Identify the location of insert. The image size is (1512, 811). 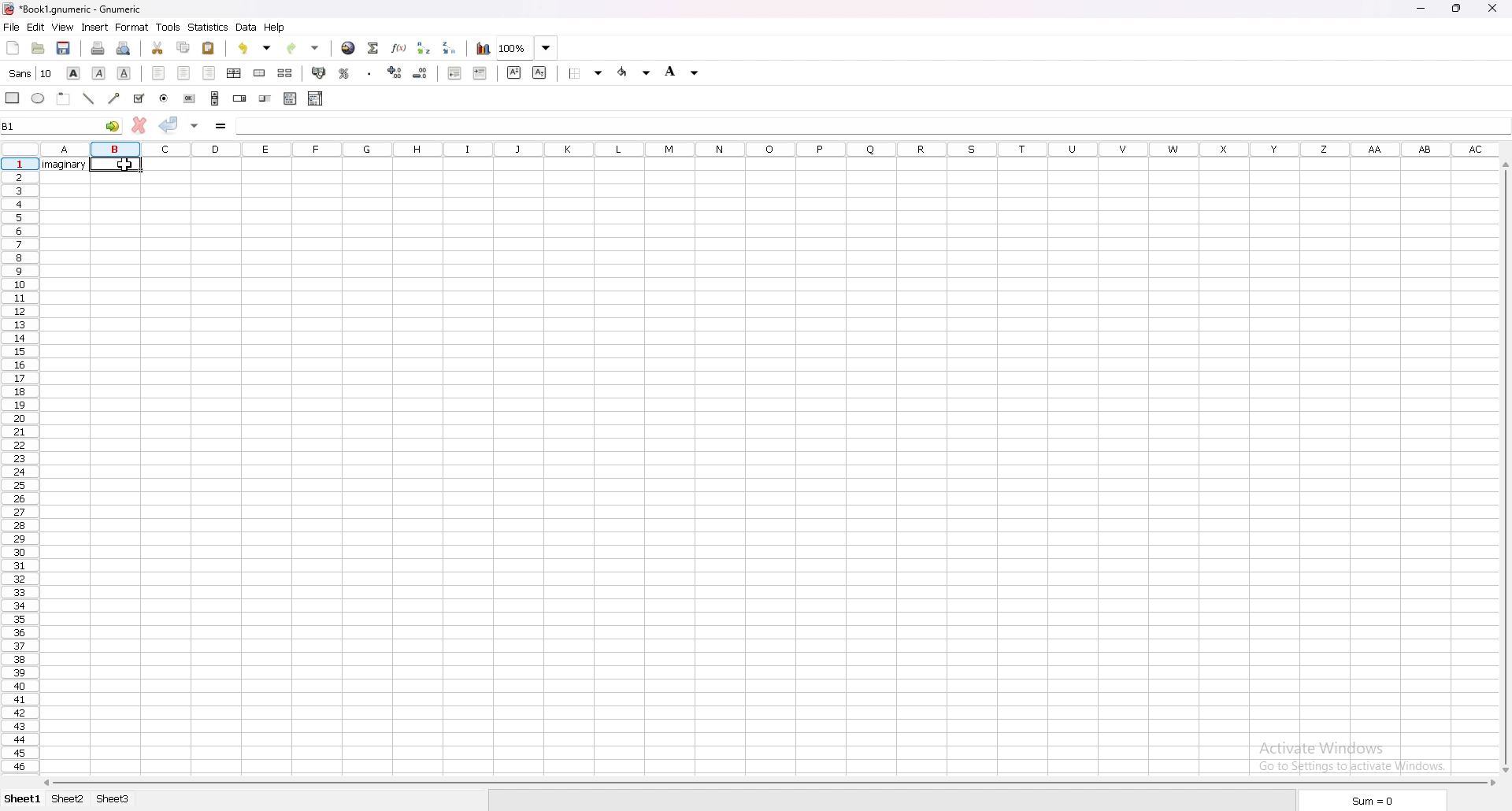
(95, 27).